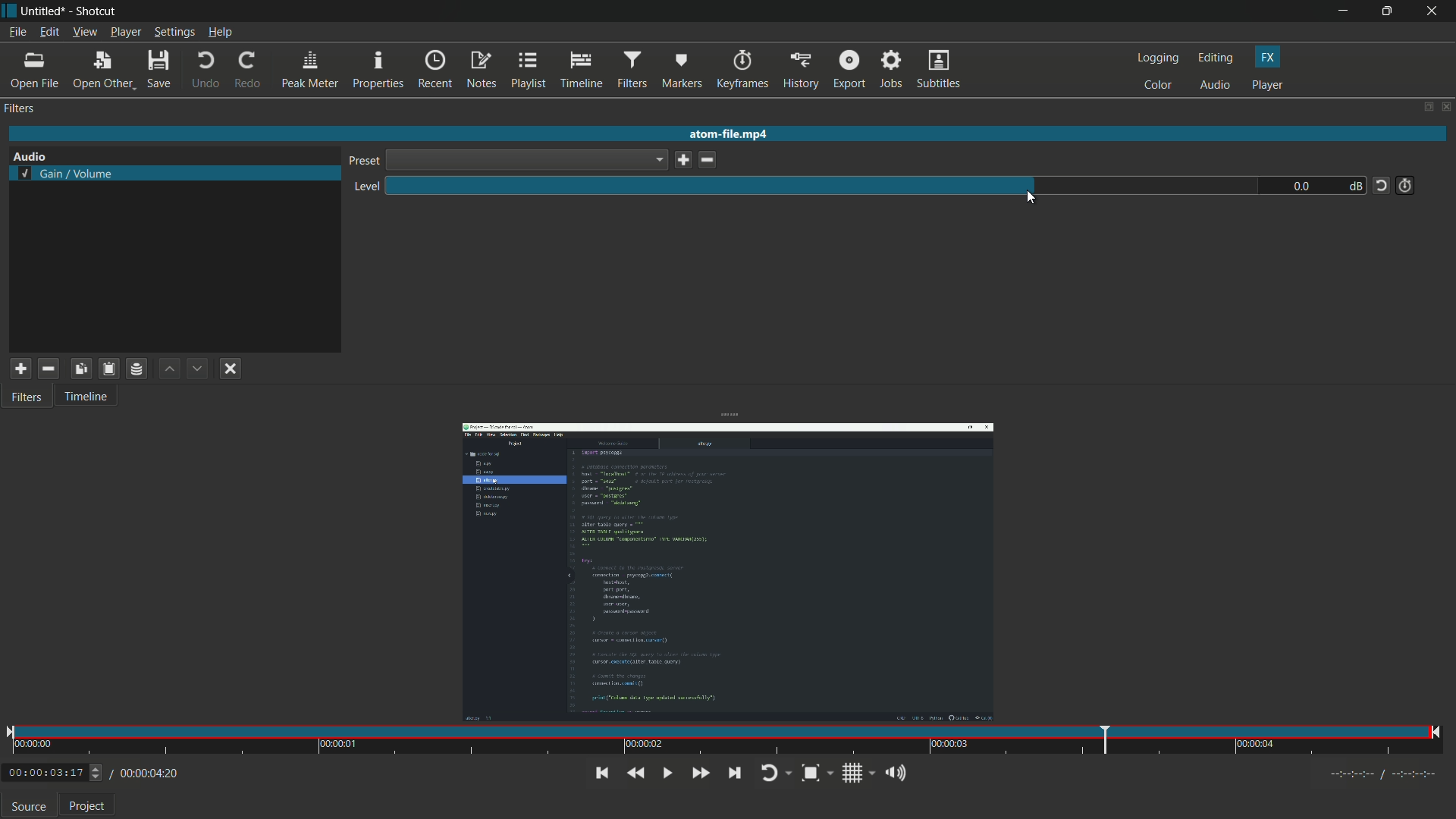 The width and height of the screenshot is (1456, 819). Describe the element at coordinates (732, 135) in the screenshot. I see `atom-file.mp4 (imported video name)` at that location.